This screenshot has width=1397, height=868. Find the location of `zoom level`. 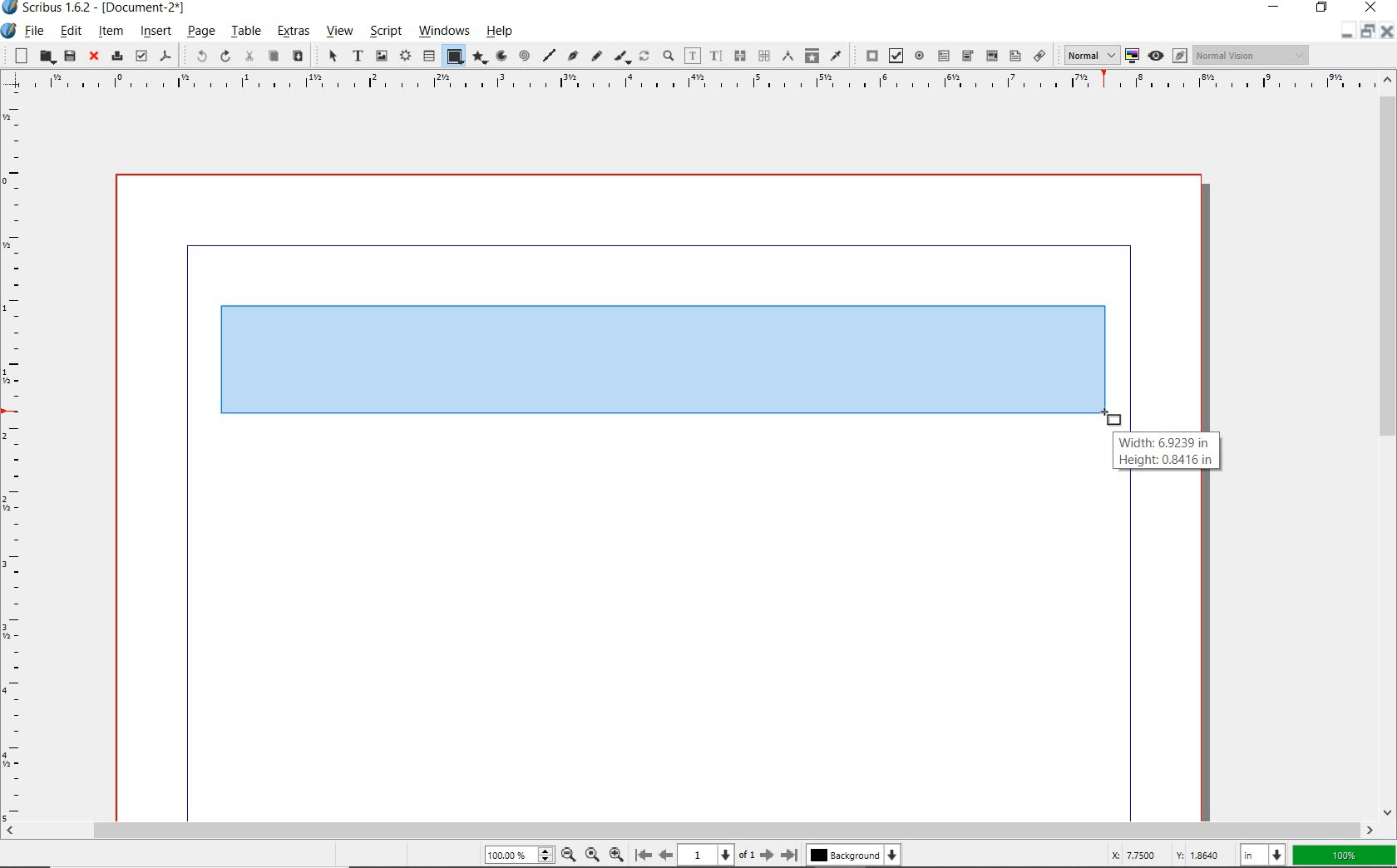

zoom level is located at coordinates (524, 855).